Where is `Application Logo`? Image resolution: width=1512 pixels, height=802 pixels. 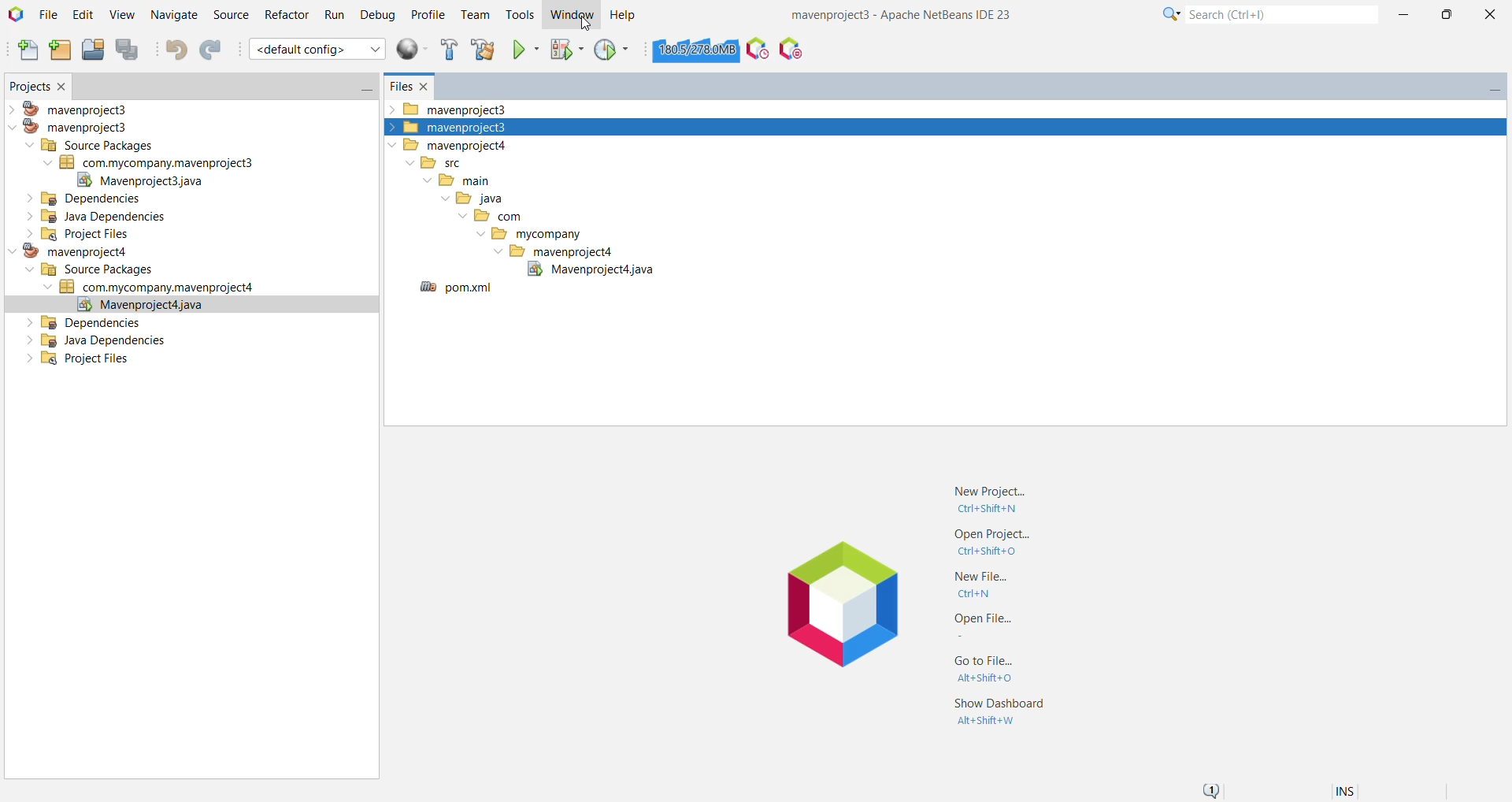
Application Logo is located at coordinates (828, 609).